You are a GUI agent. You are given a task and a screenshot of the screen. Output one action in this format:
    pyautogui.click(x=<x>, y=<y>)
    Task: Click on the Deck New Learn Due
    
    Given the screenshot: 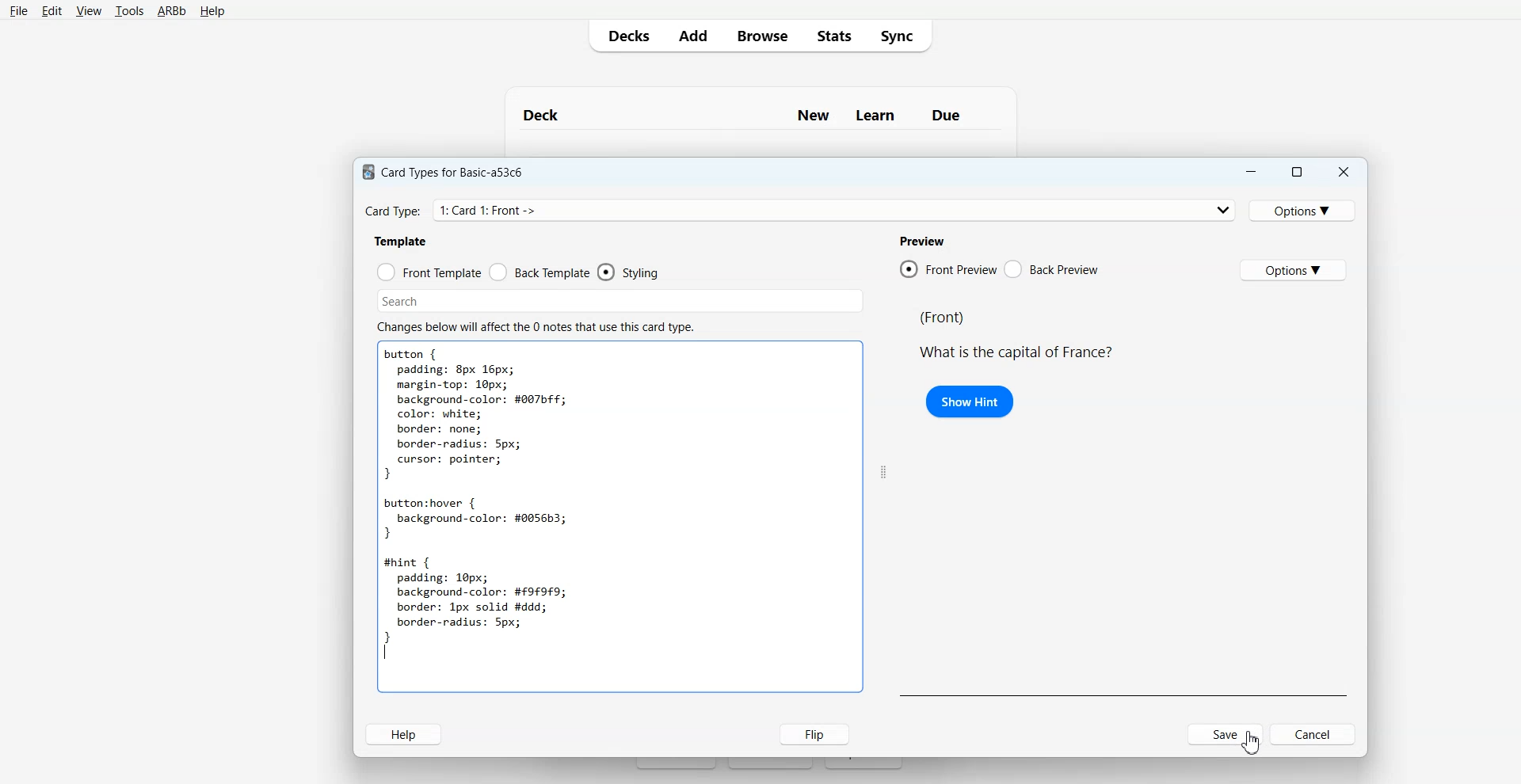 What is the action you would take?
    pyautogui.click(x=750, y=115)
    